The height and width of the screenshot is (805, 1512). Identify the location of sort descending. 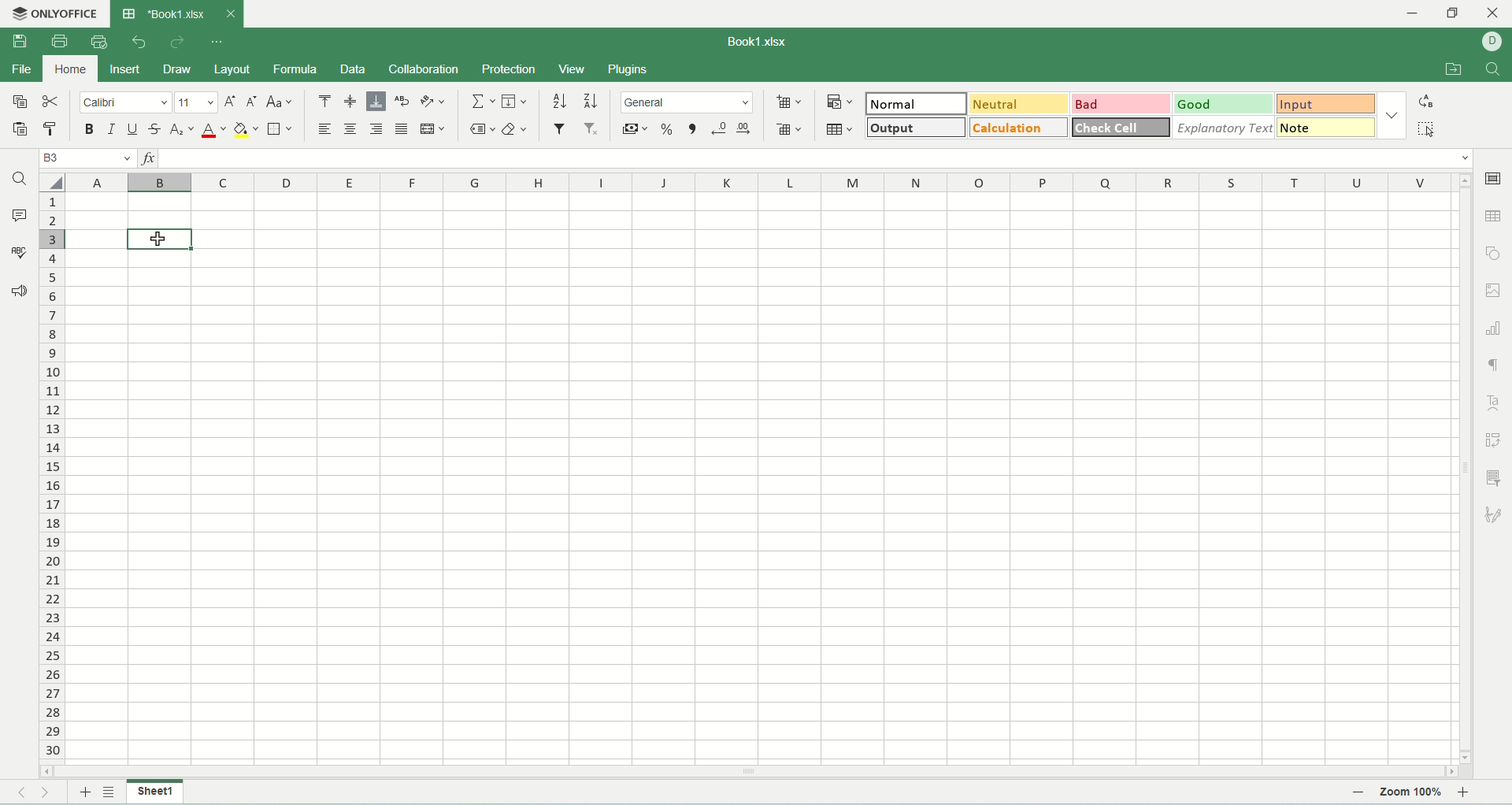
(591, 100).